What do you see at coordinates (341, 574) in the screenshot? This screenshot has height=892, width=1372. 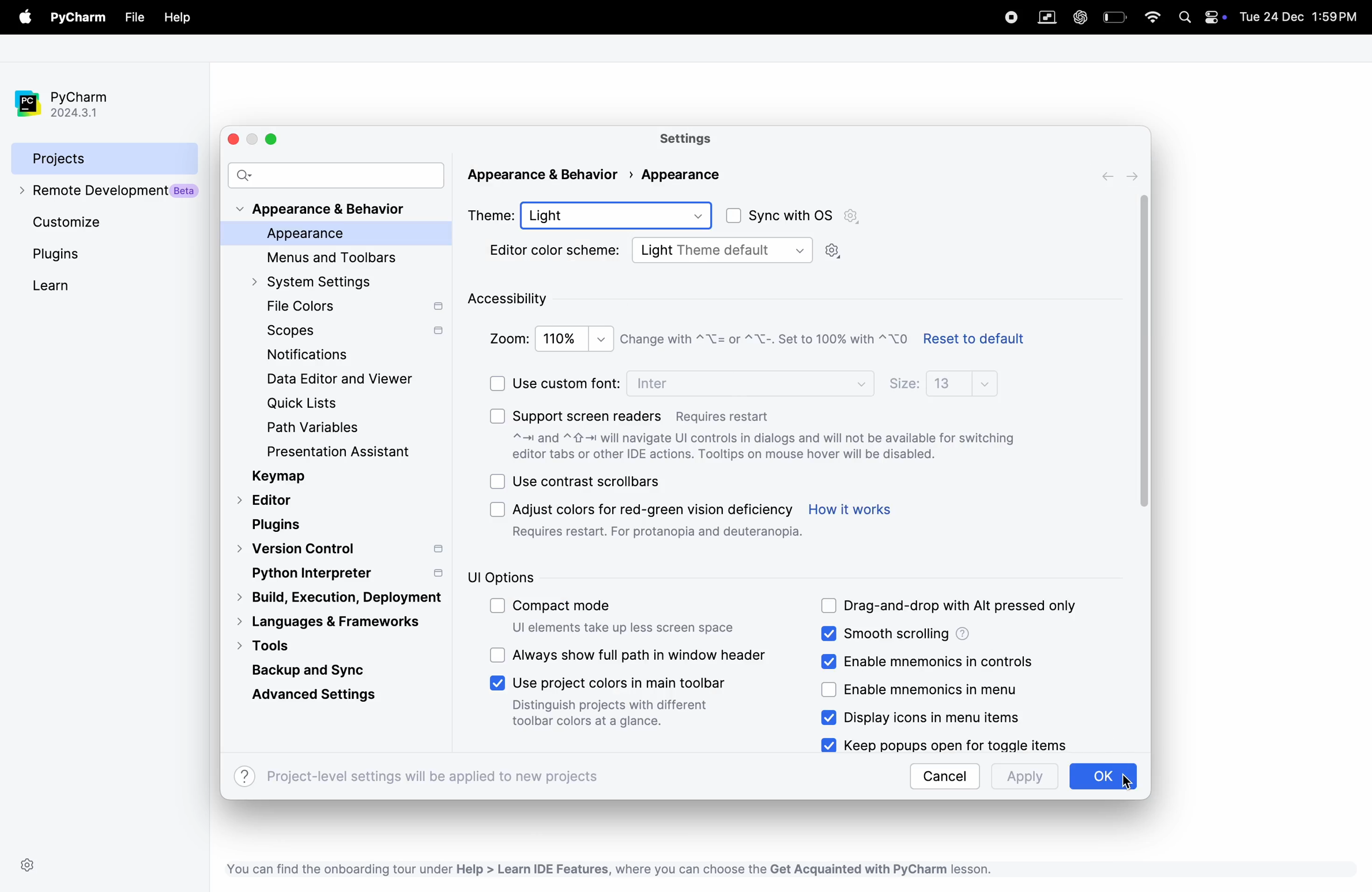 I see `python interpreter` at bounding box center [341, 574].